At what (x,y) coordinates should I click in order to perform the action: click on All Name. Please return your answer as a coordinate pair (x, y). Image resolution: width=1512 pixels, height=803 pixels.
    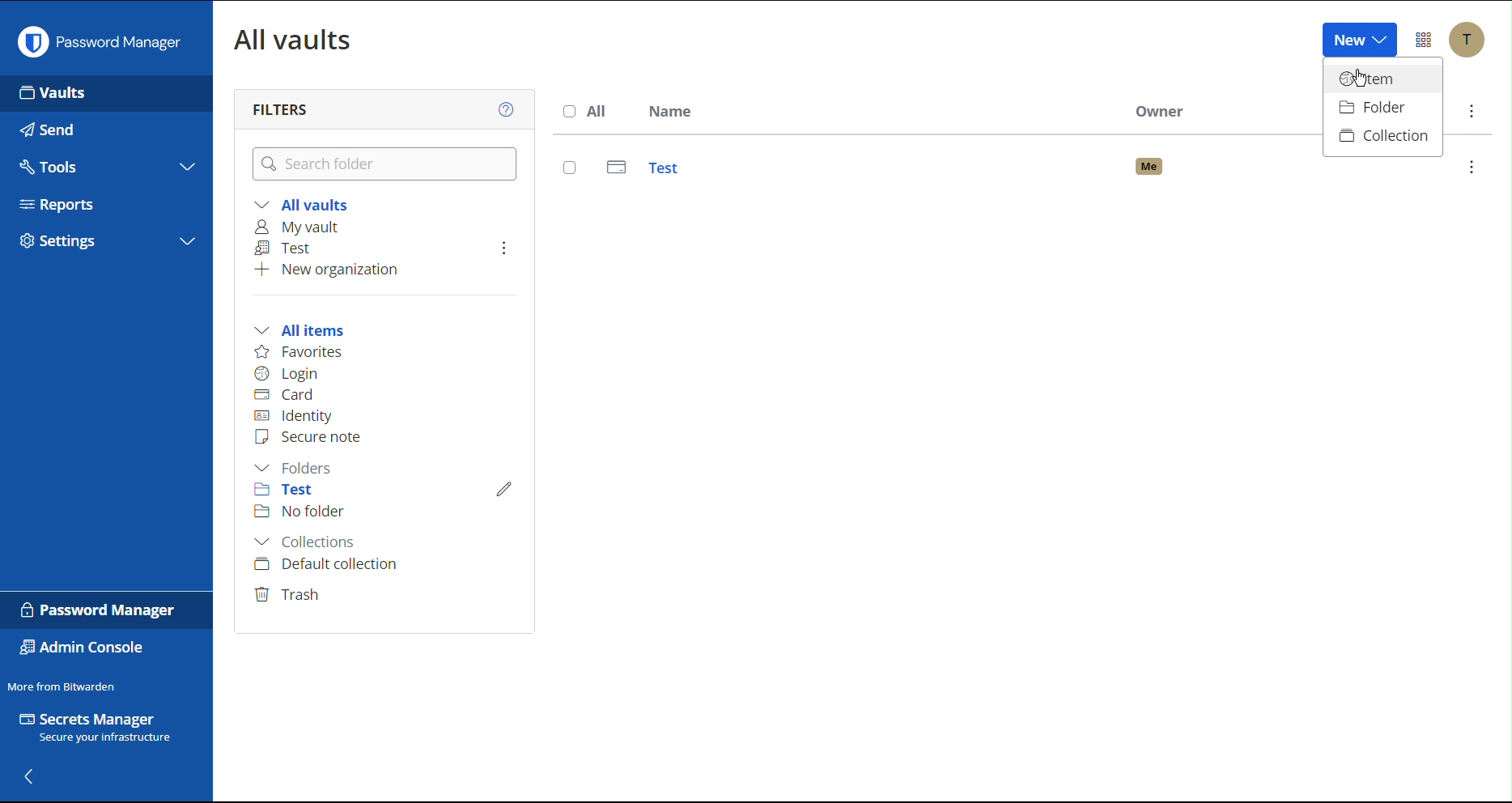
    Looking at the image, I should click on (584, 113).